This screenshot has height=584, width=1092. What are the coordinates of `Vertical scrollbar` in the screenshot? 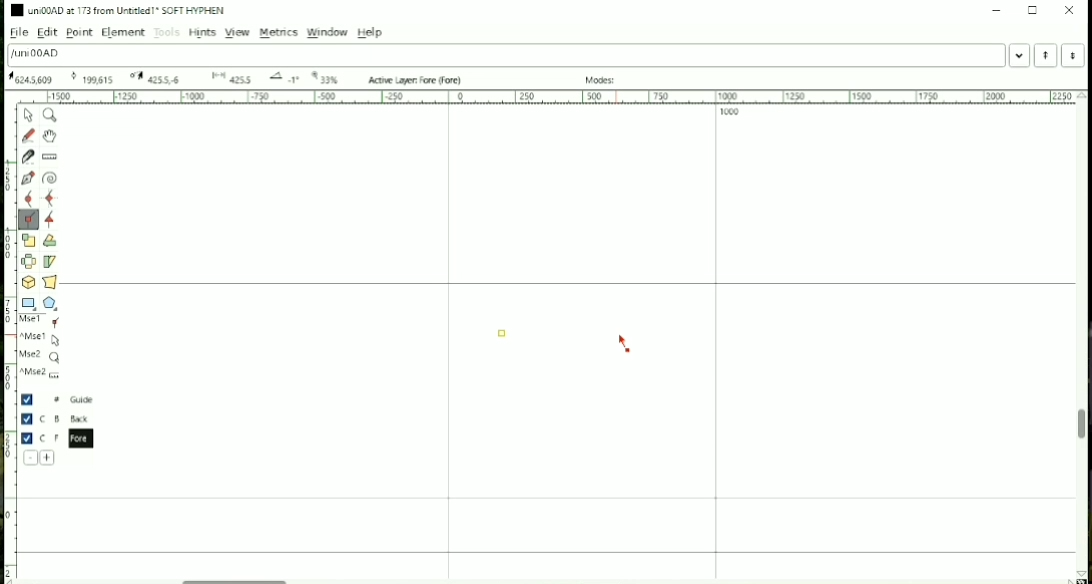 It's located at (1081, 422).